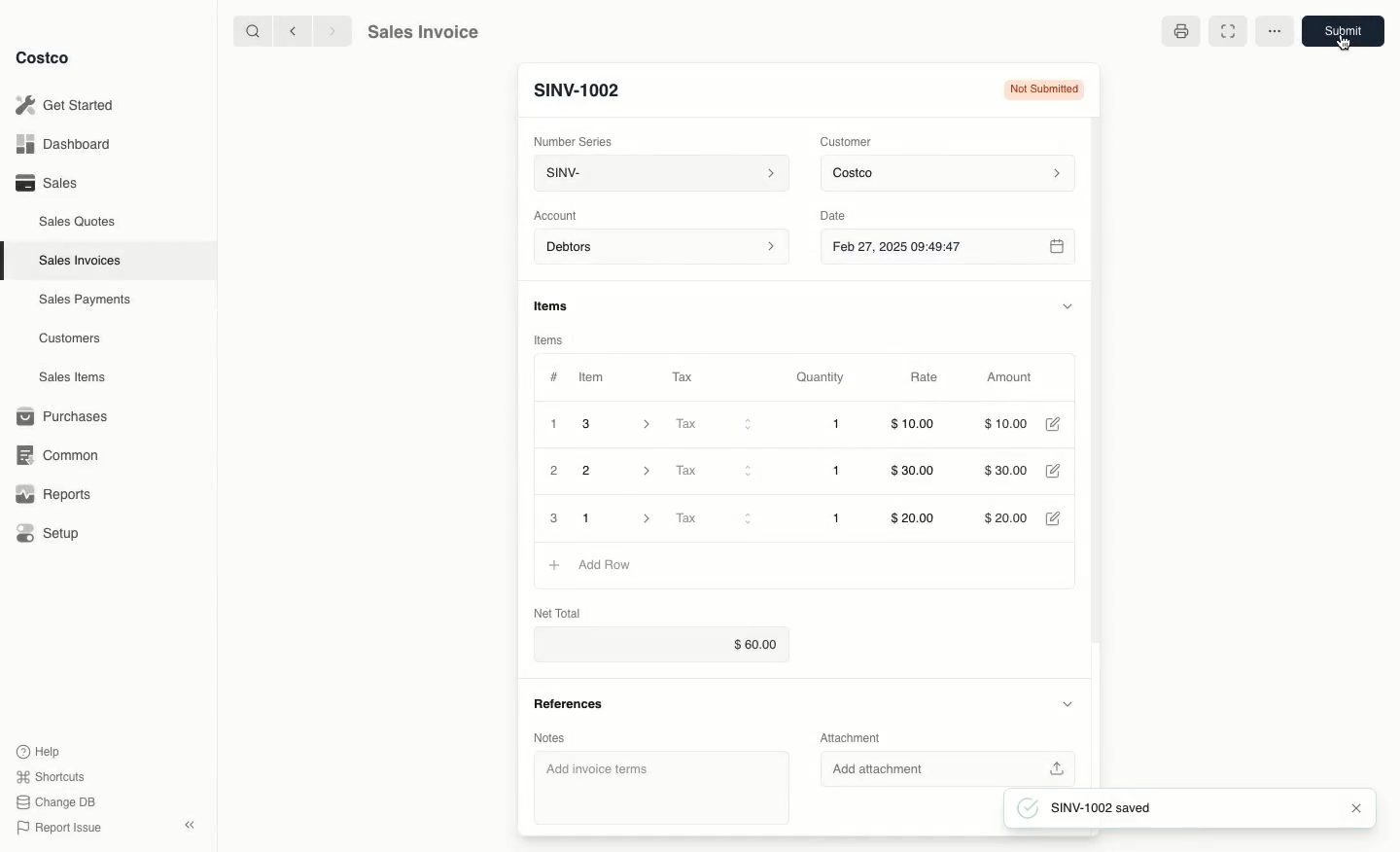  What do you see at coordinates (1044, 89) in the screenshot?
I see `Not submitted` at bounding box center [1044, 89].